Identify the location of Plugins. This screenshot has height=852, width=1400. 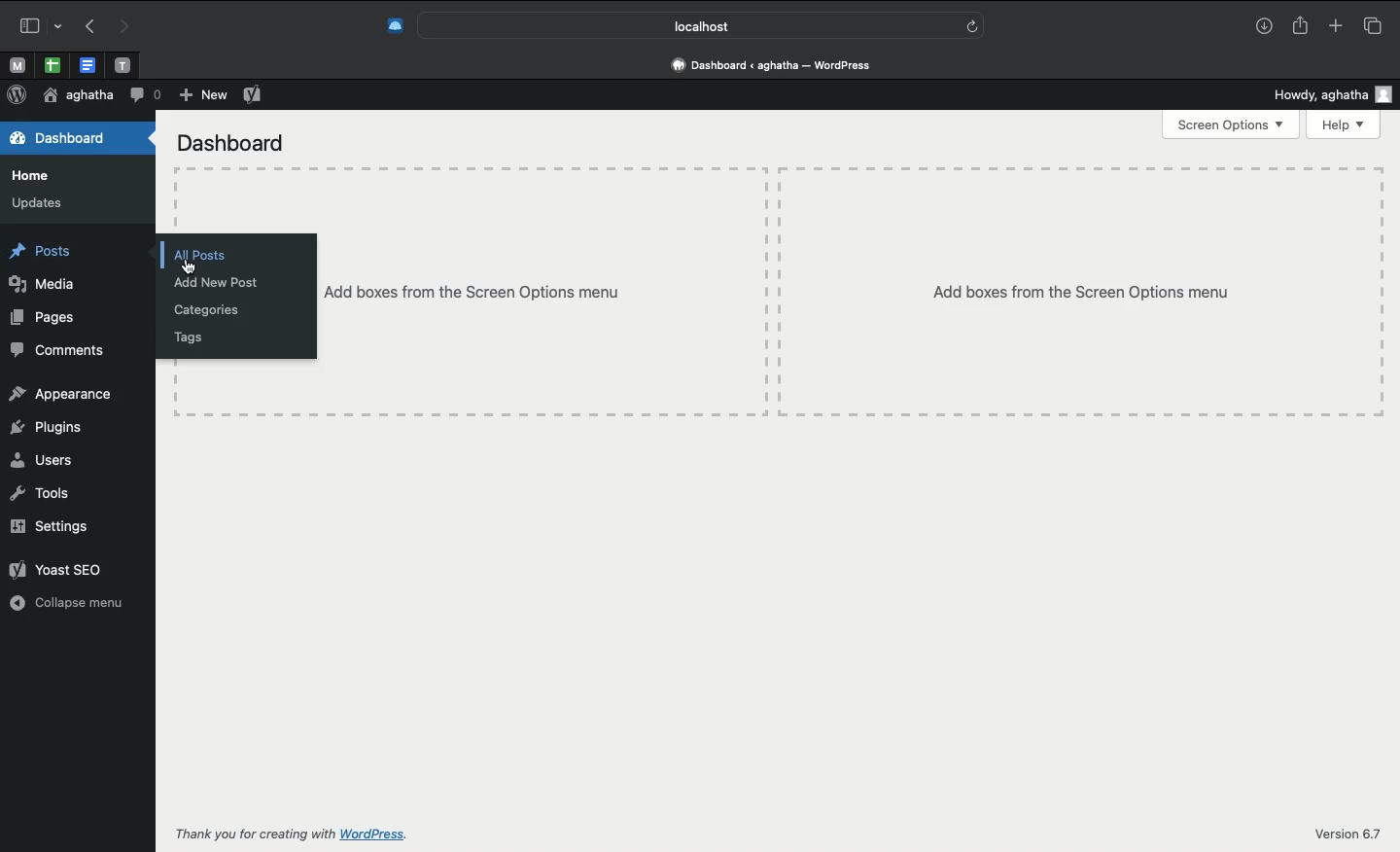
(47, 428).